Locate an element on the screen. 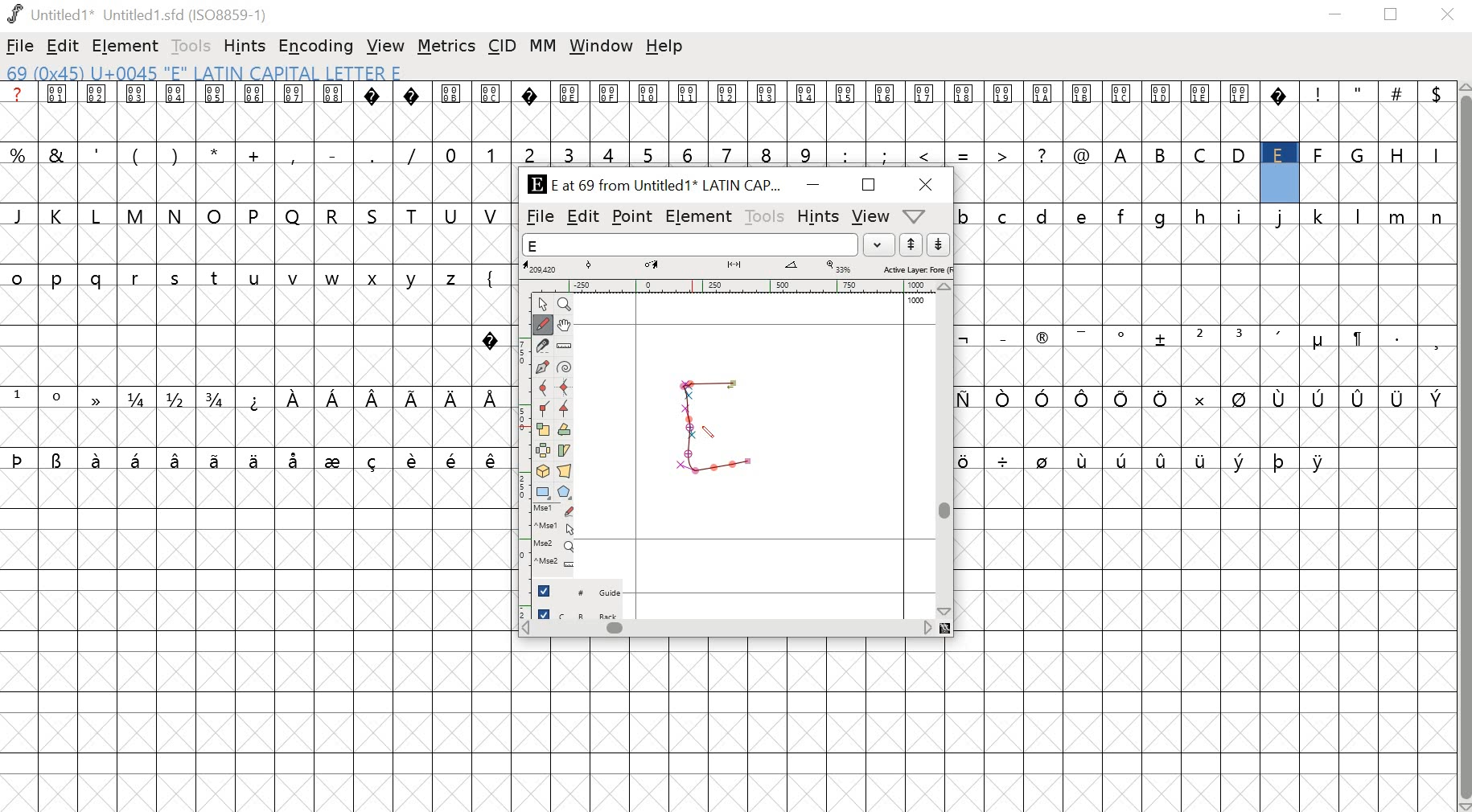 Image resolution: width=1472 pixels, height=812 pixels. tools is located at coordinates (763, 215).